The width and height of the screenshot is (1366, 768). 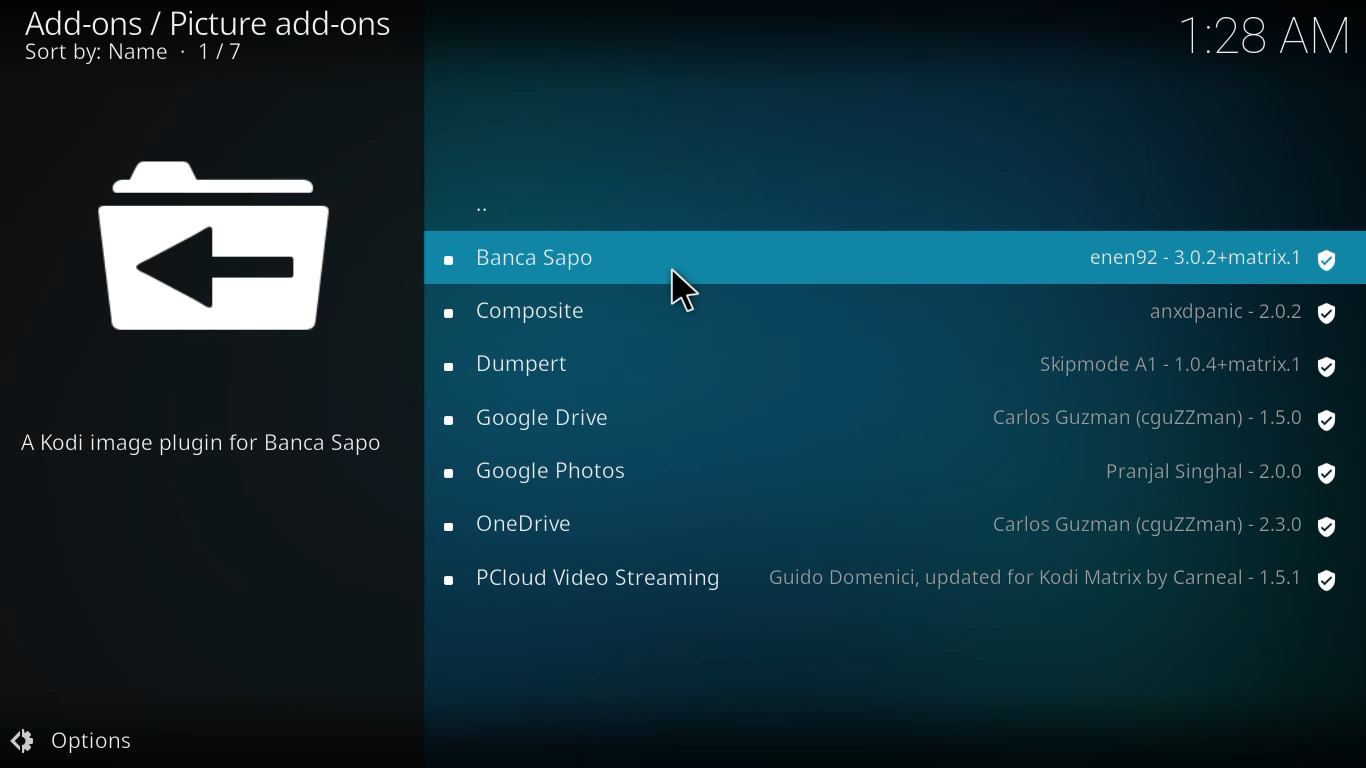 I want to click on pcloud, so click(x=580, y=579).